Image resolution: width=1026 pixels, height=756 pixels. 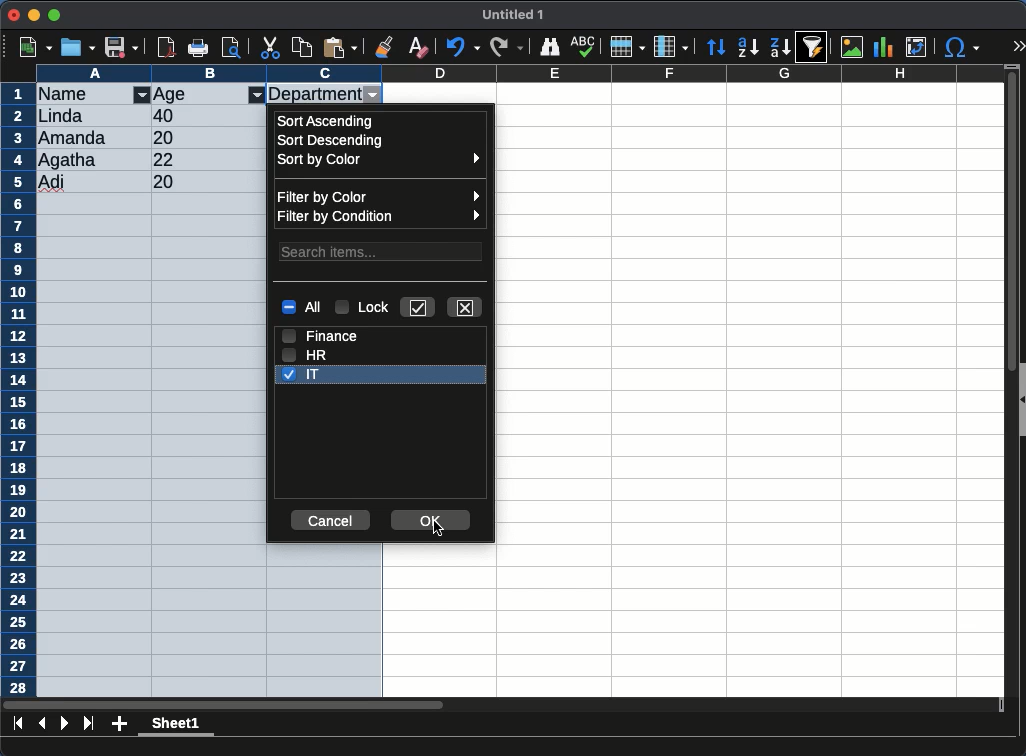 What do you see at coordinates (167, 137) in the screenshot?
I see `20` at bounding box center [167, 137].